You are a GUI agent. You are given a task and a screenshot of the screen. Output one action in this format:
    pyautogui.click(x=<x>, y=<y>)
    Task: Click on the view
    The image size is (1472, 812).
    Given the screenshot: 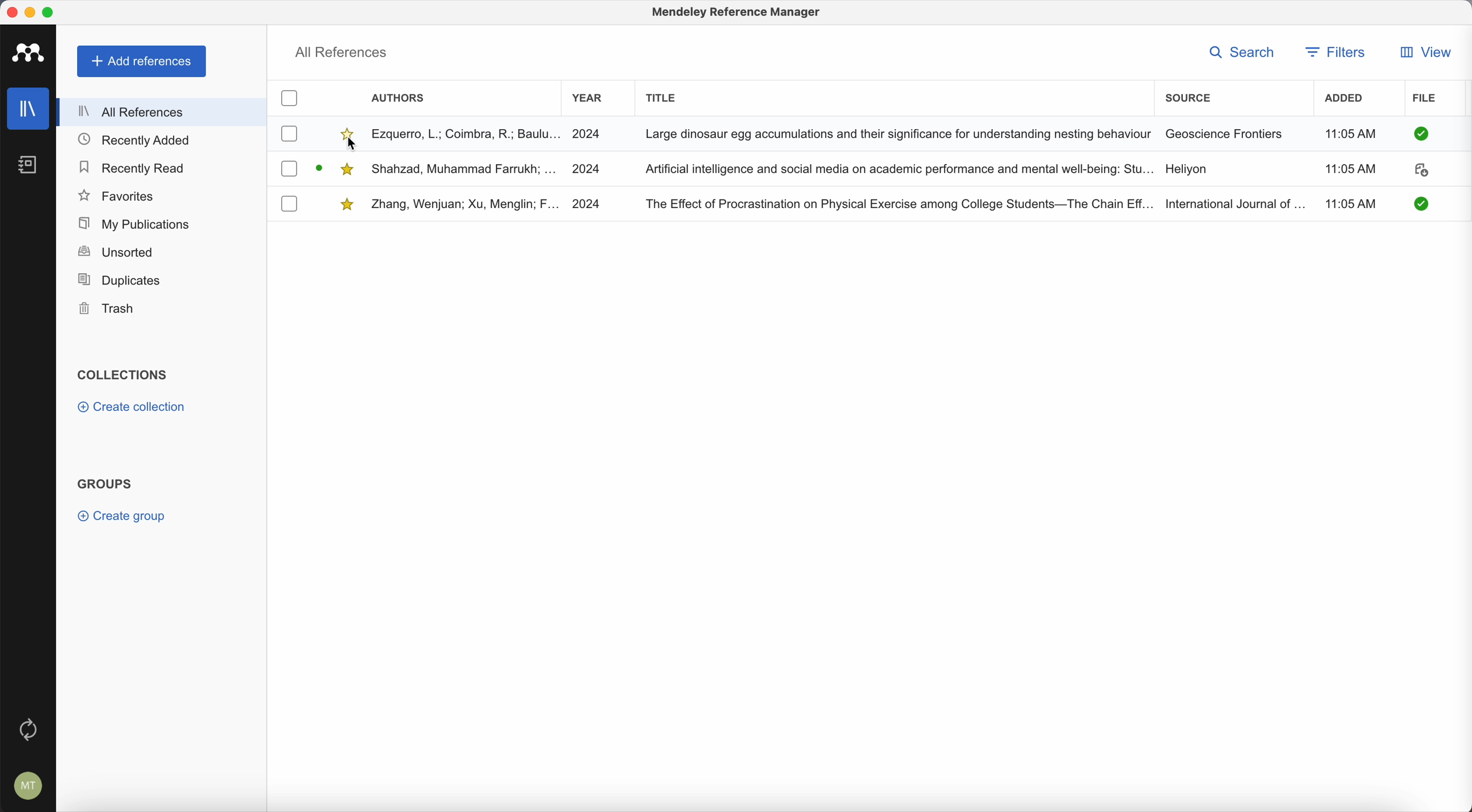 What is the action you would take?
    pyautogui.click(x=1424, y=52)
    